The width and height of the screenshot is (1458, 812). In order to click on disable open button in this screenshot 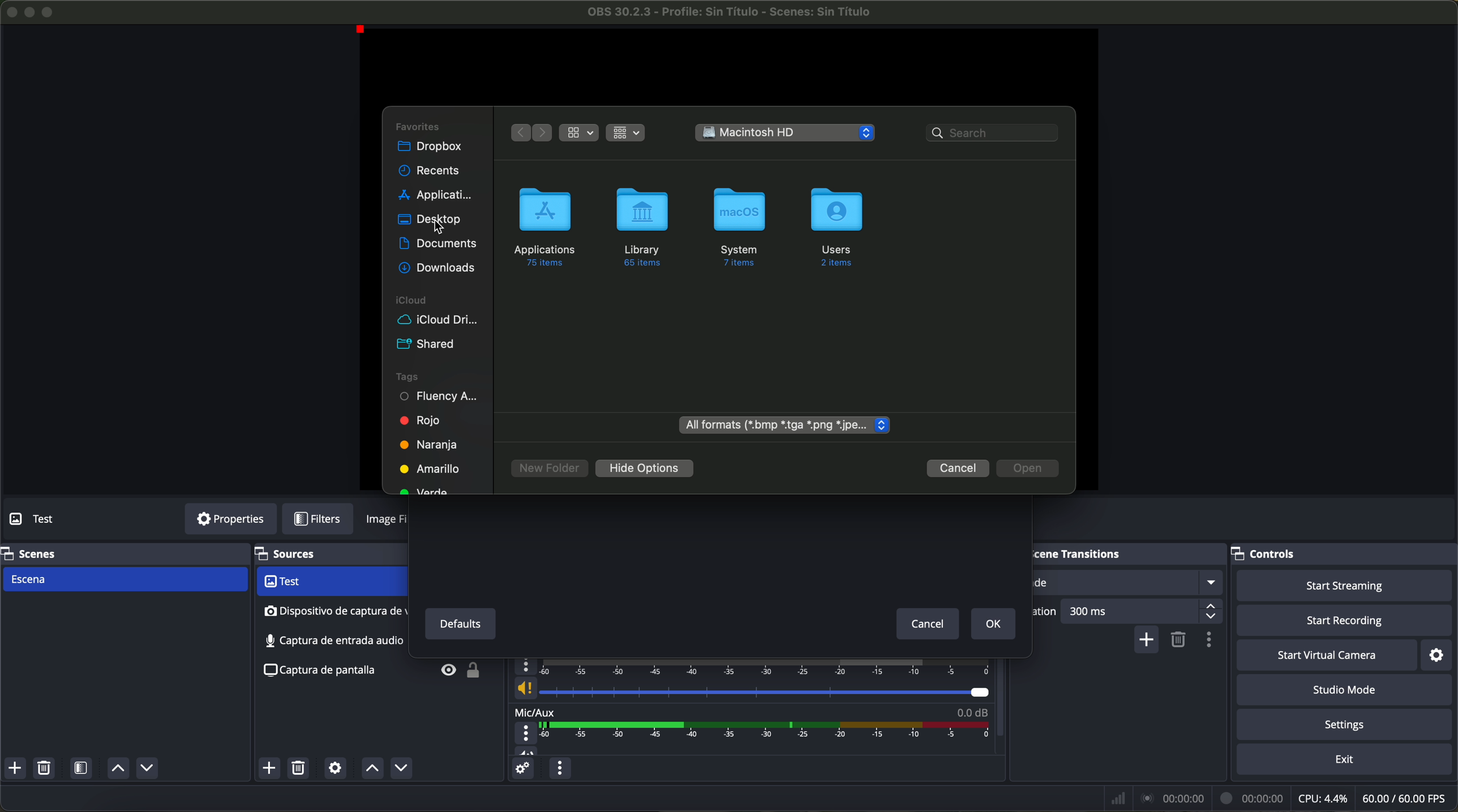, I will do `click(1029, 469)`.